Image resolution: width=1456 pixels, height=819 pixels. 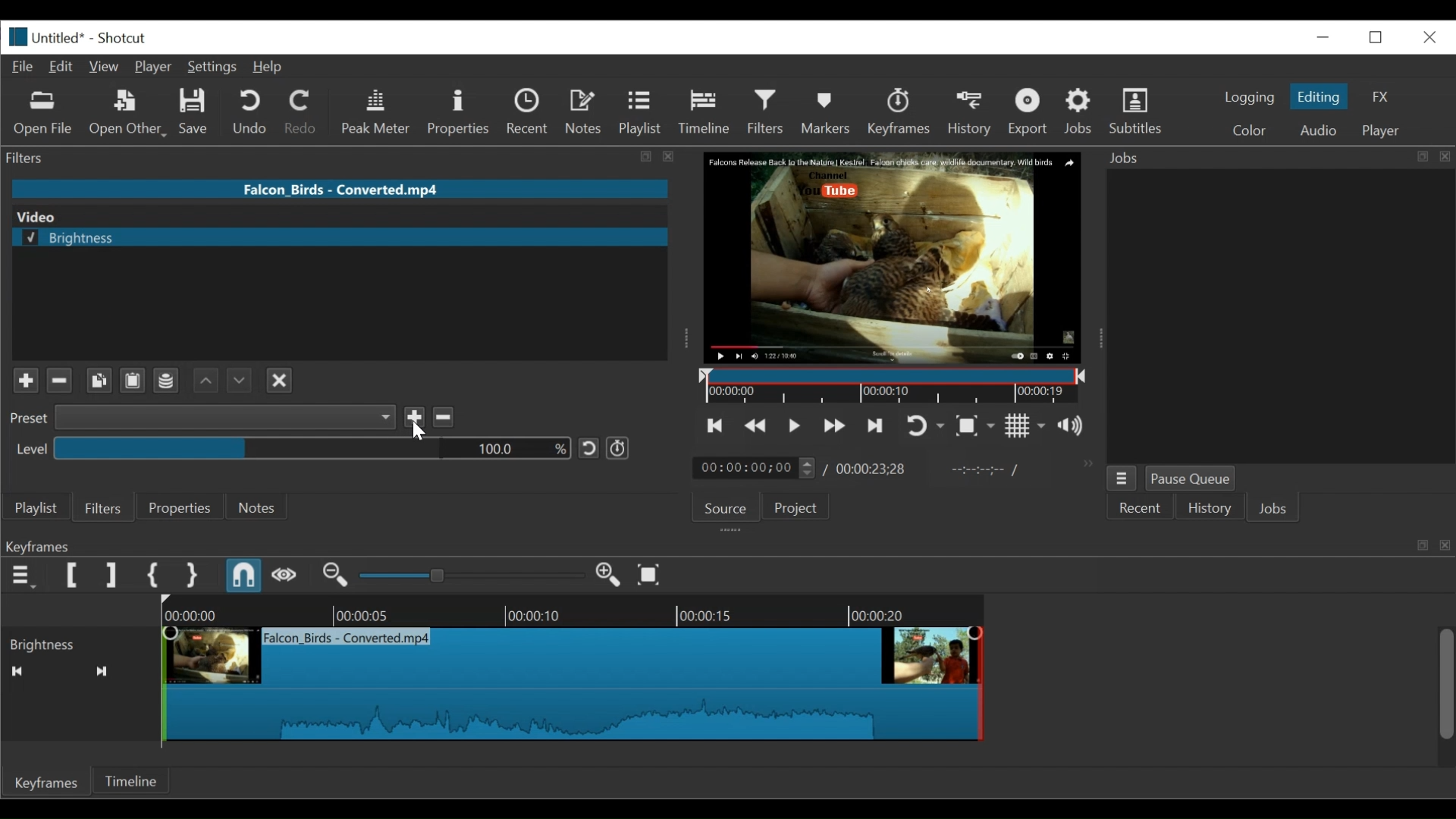 I want to click on Timeline, so click(x=706, y=114).